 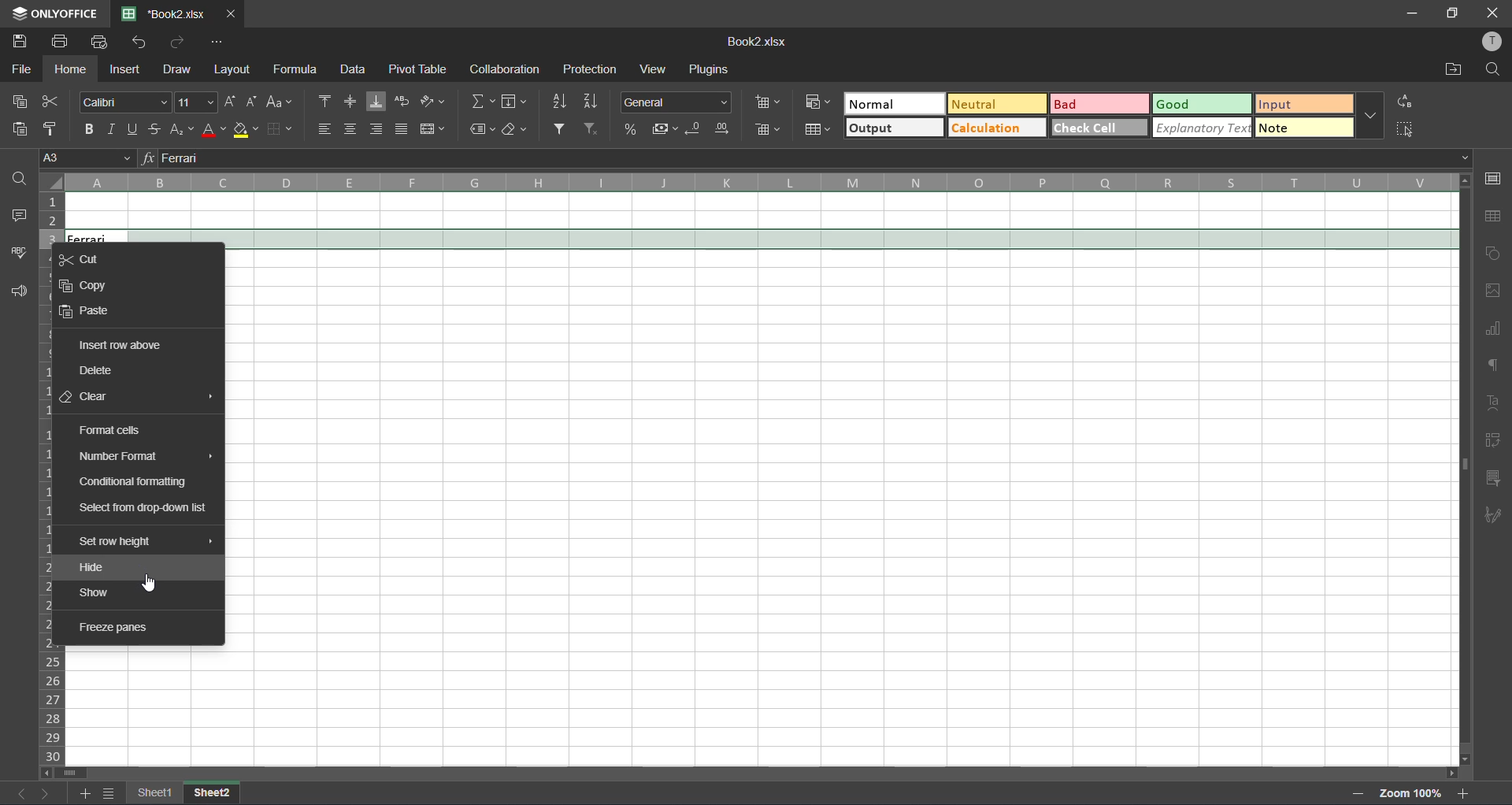 What do you see at coordinates (136, 482) in the screenshot?
I see `conditional formatting` at bounding box center [136, 482].